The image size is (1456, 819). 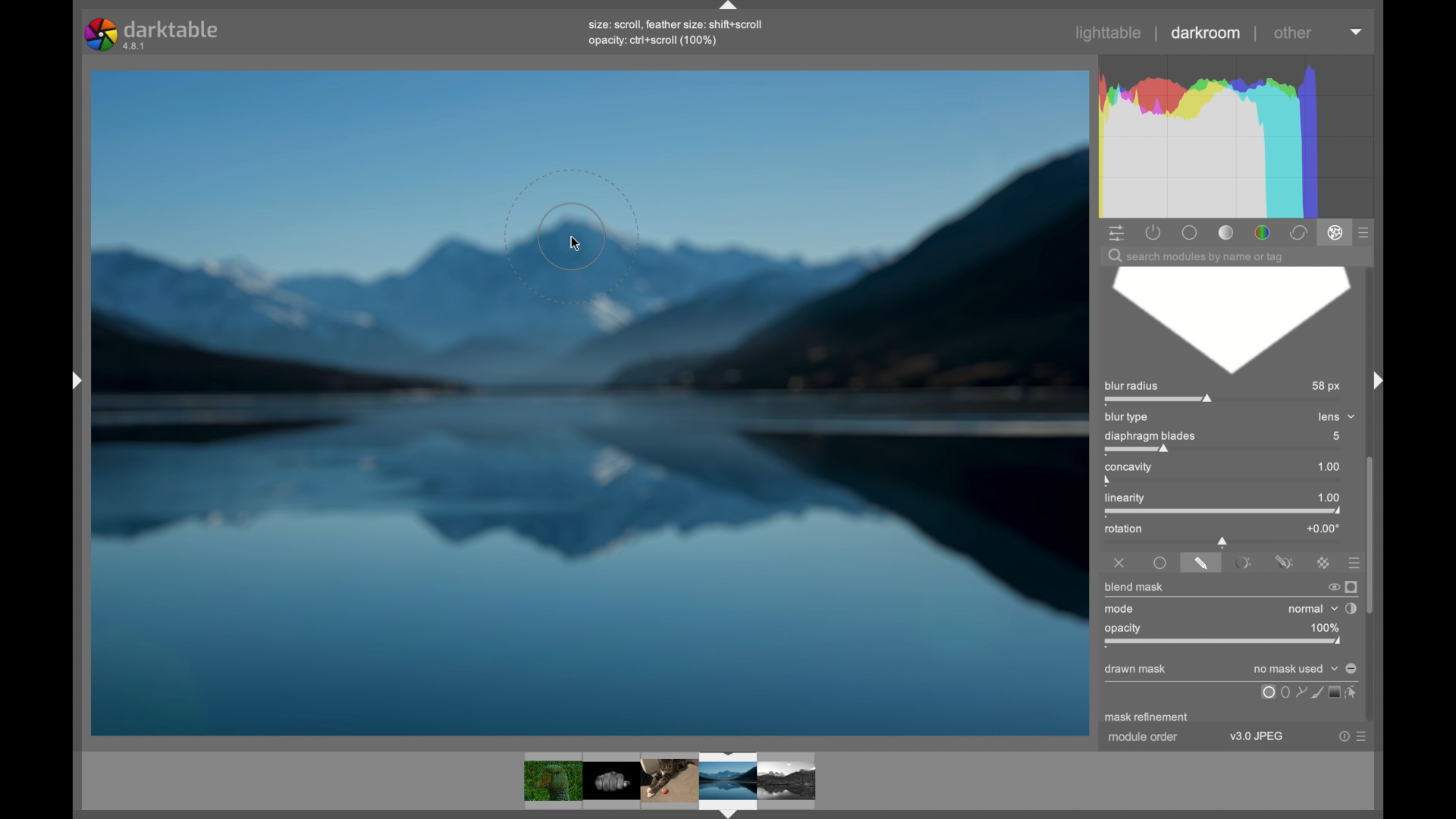 I want to click on diaphragm blades, so click(x=1152, y=441).